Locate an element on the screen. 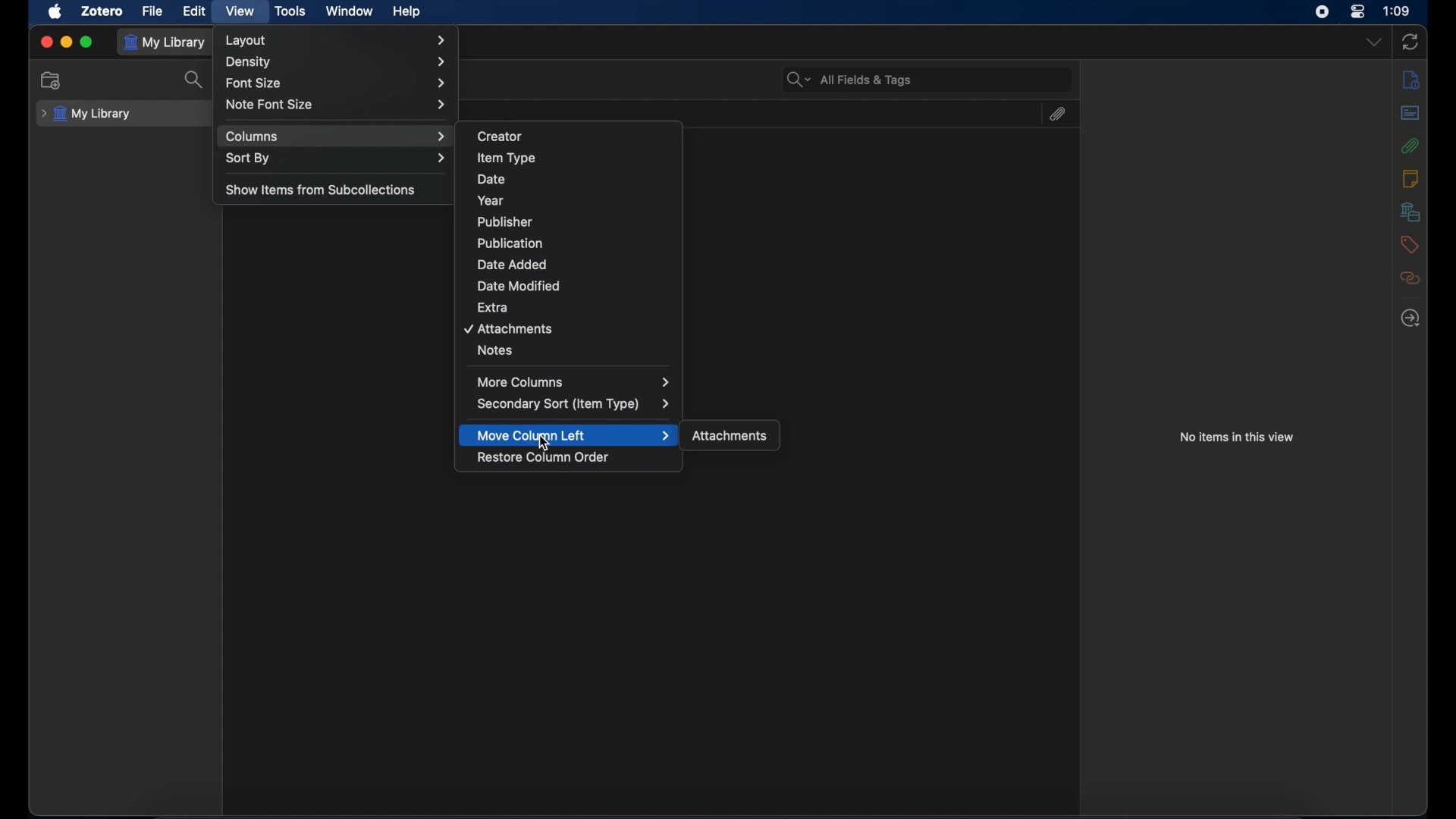 Image resolution: width=1456 pixels, height=819 pixels. attachments is located at coordinates (510, 329).